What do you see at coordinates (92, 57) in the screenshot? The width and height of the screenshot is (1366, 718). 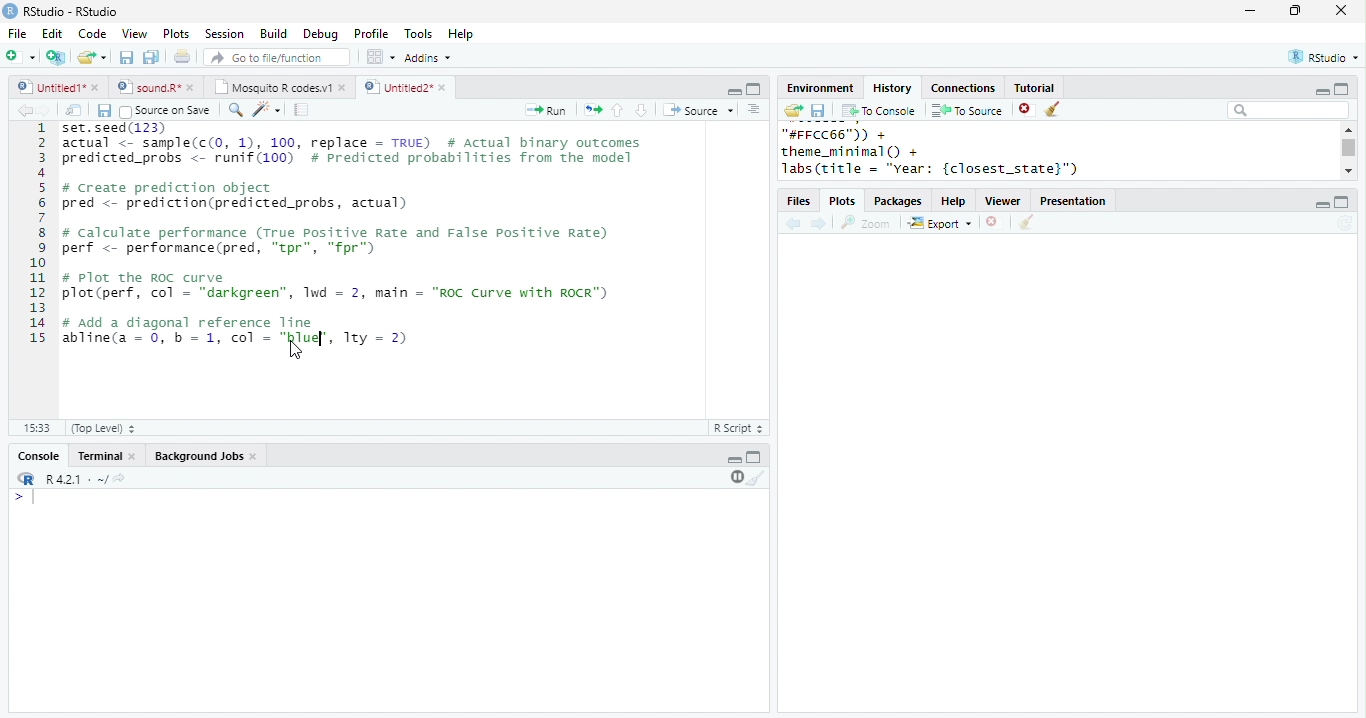 I see `open file` at bounding box center [92, 57].